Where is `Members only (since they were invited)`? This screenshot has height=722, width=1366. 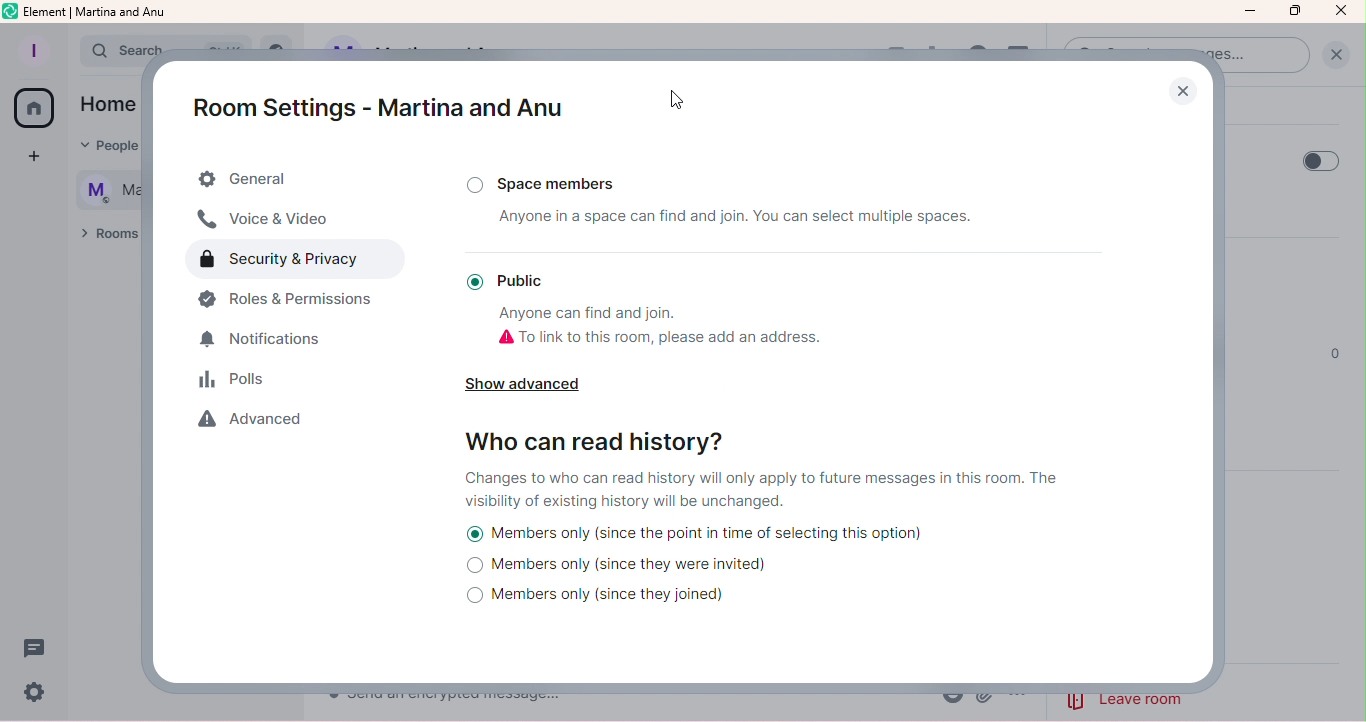 Members only (since they were invited) is located at coordinates (625, 563).